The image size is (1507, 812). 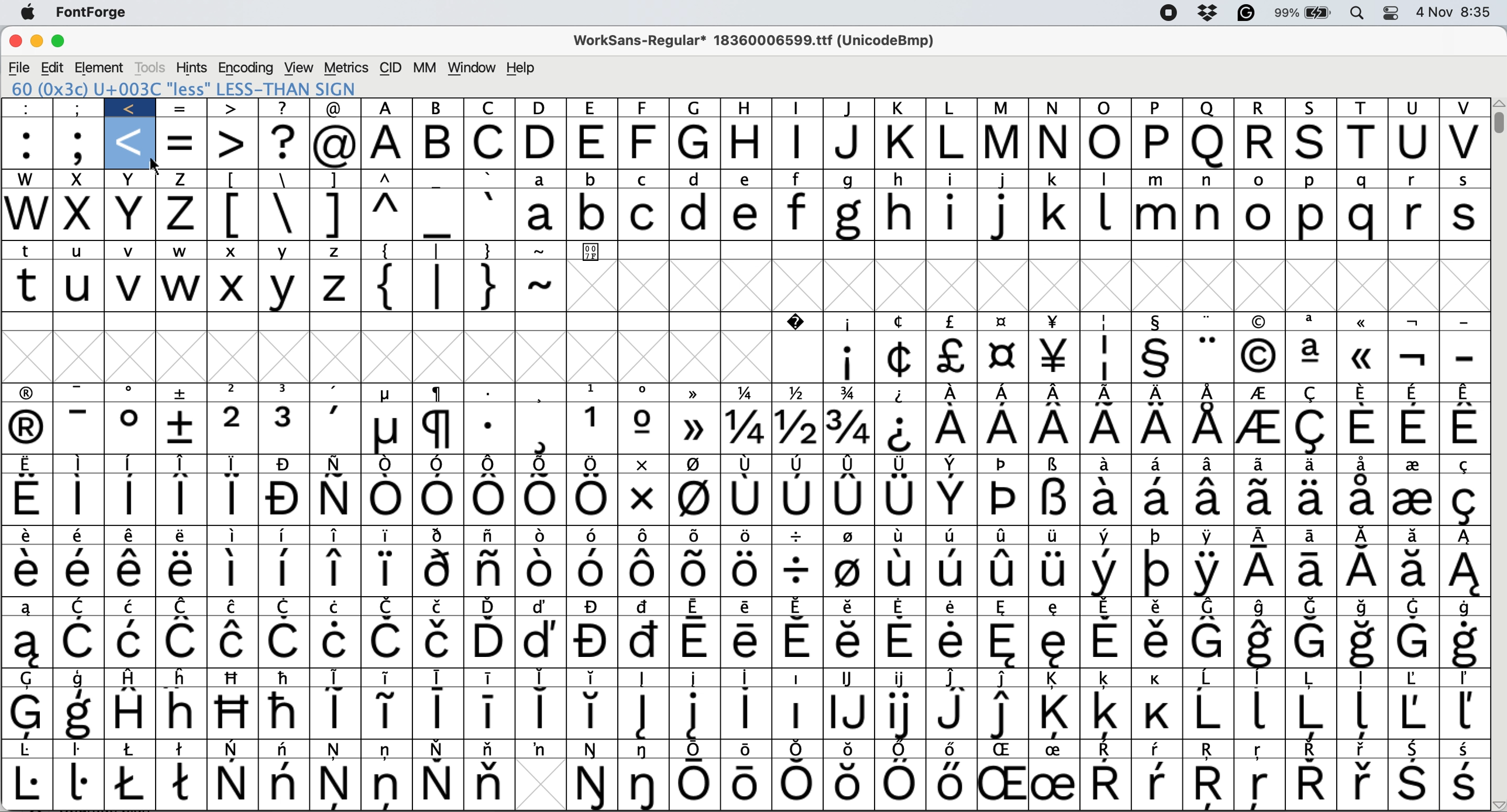 What do you see at coordinates (747, 678) in the screenshot?
I see `Symbol` at bounding box center [747, 678].